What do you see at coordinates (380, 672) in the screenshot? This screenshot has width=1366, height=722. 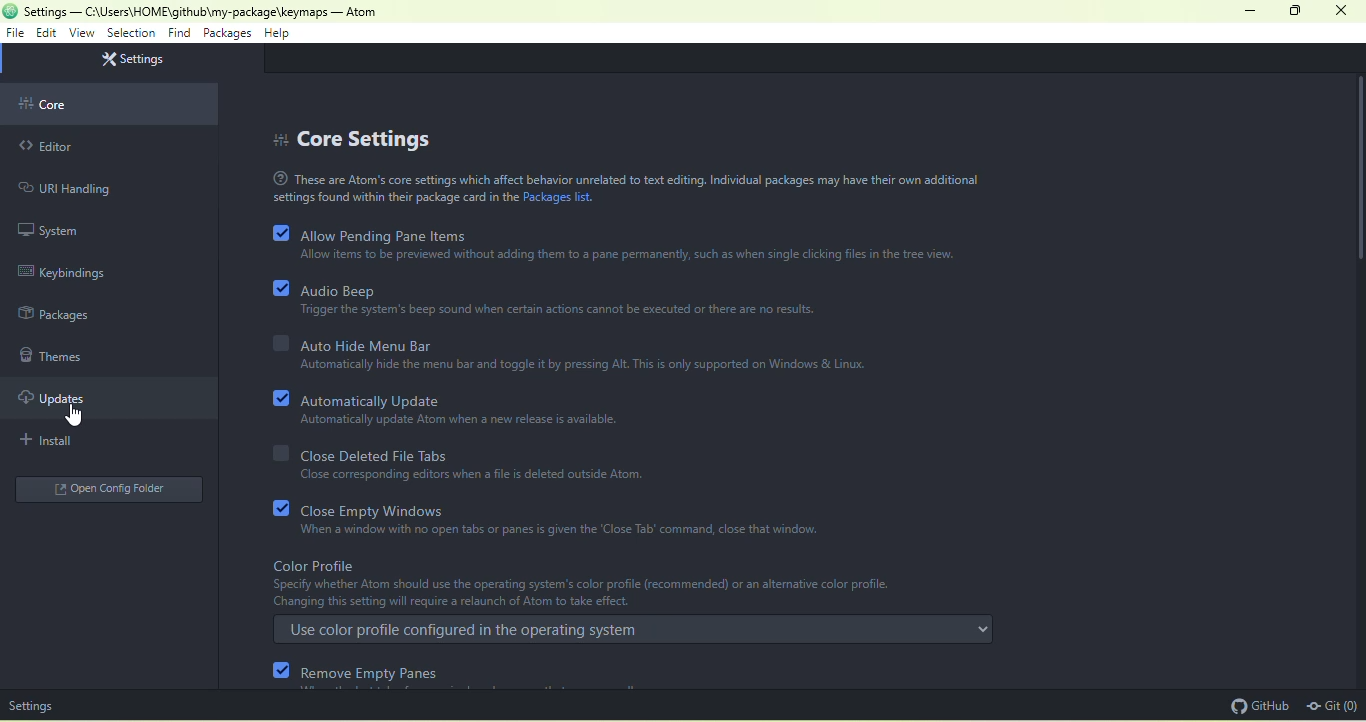 I see `remove empty pans` at bounding box center [380, 672].